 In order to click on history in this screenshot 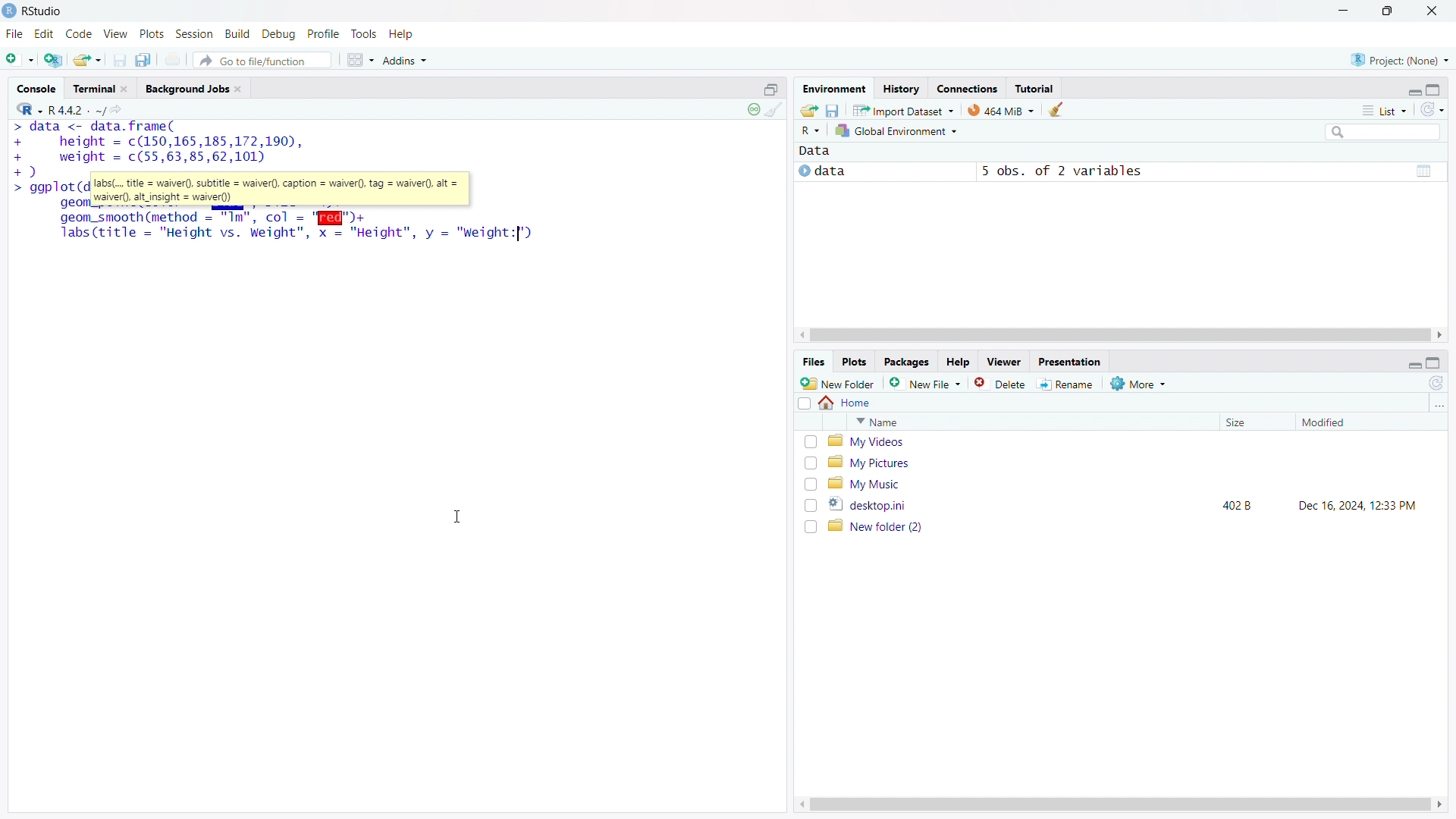, I will do `click(901, 88)`.